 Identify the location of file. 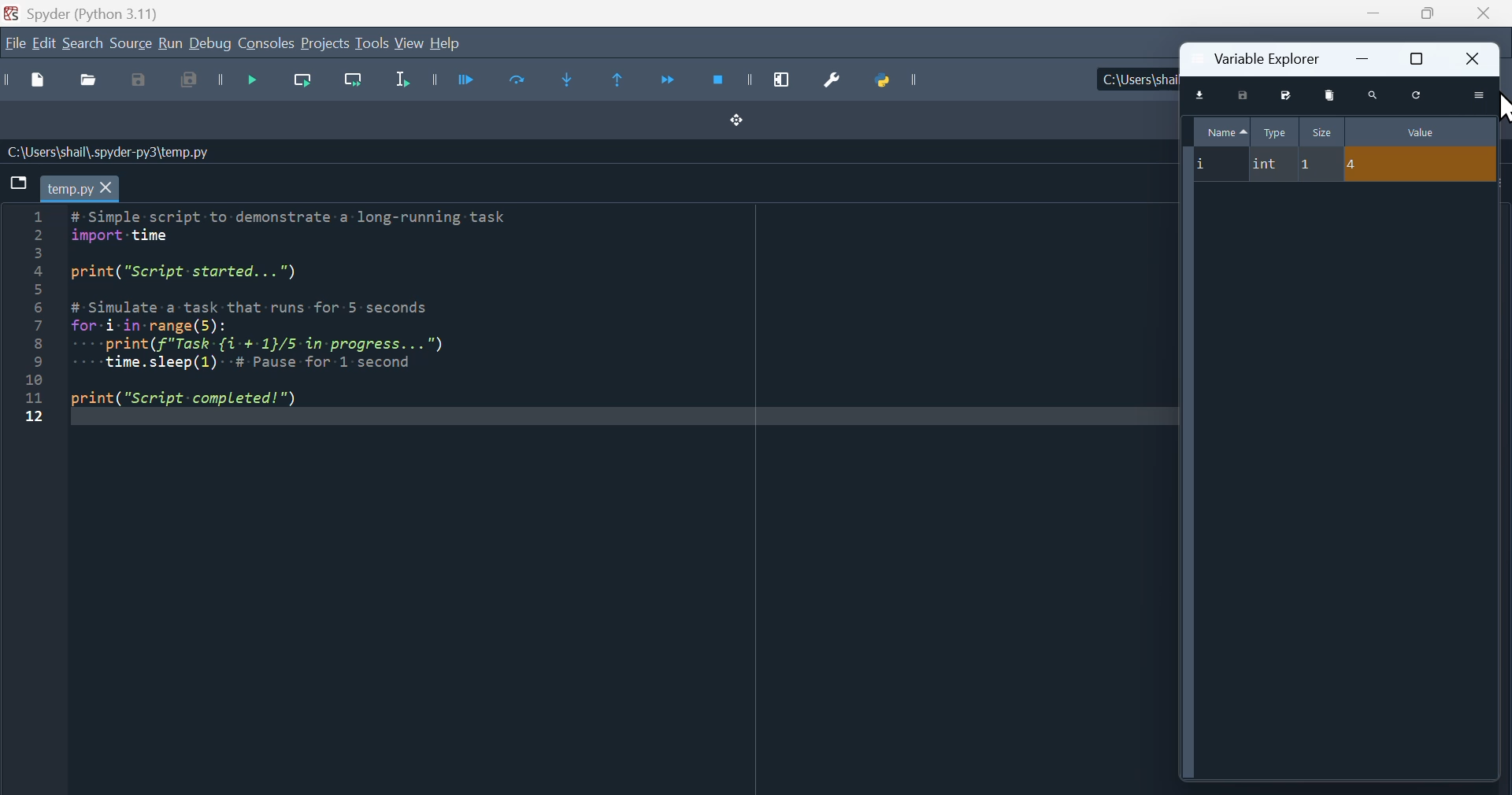
(14, 43).